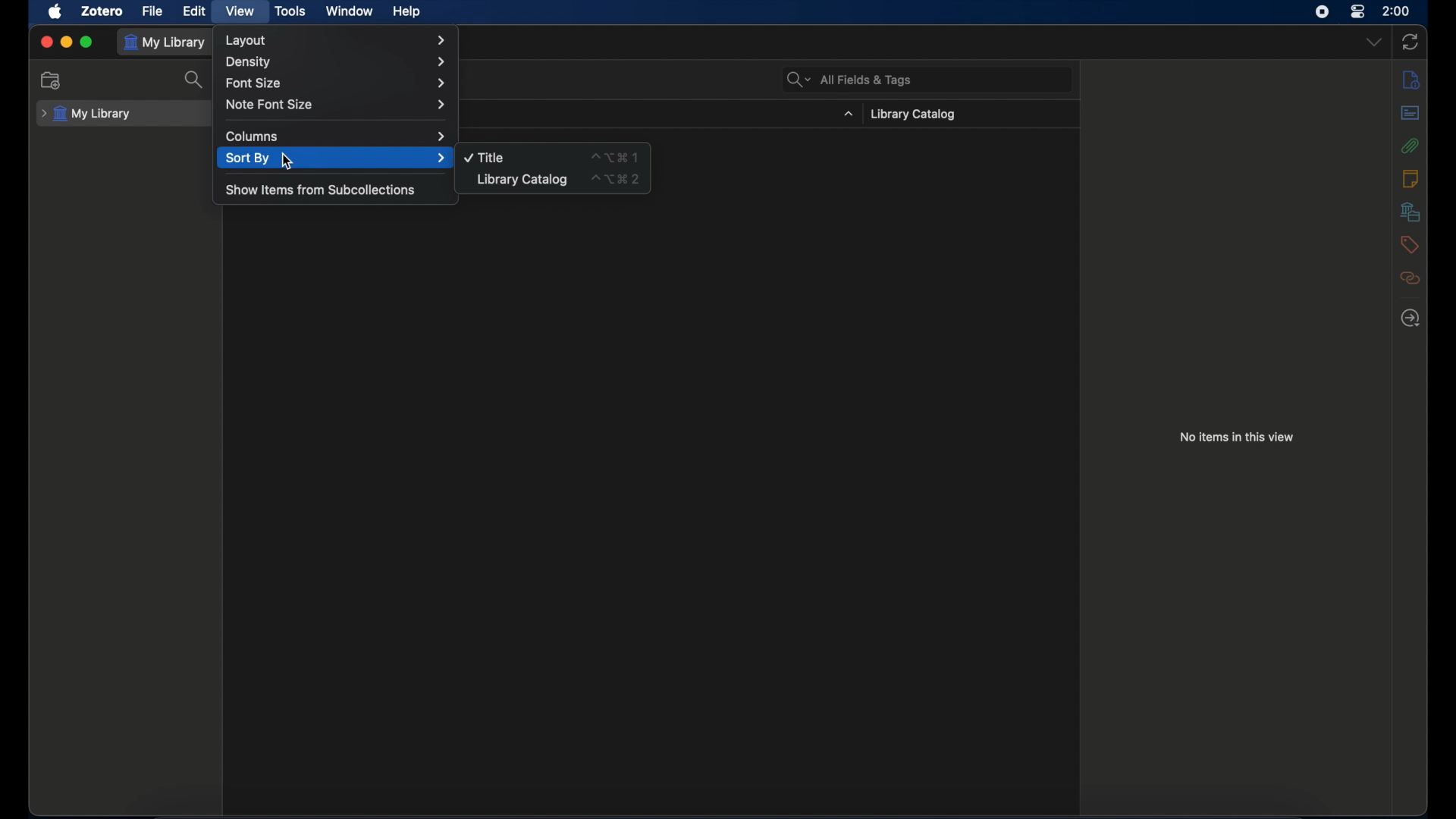  What do you see at coordinates (52, 80) in the screenshot?
I see `new collection` at bounding box center [52, 80].